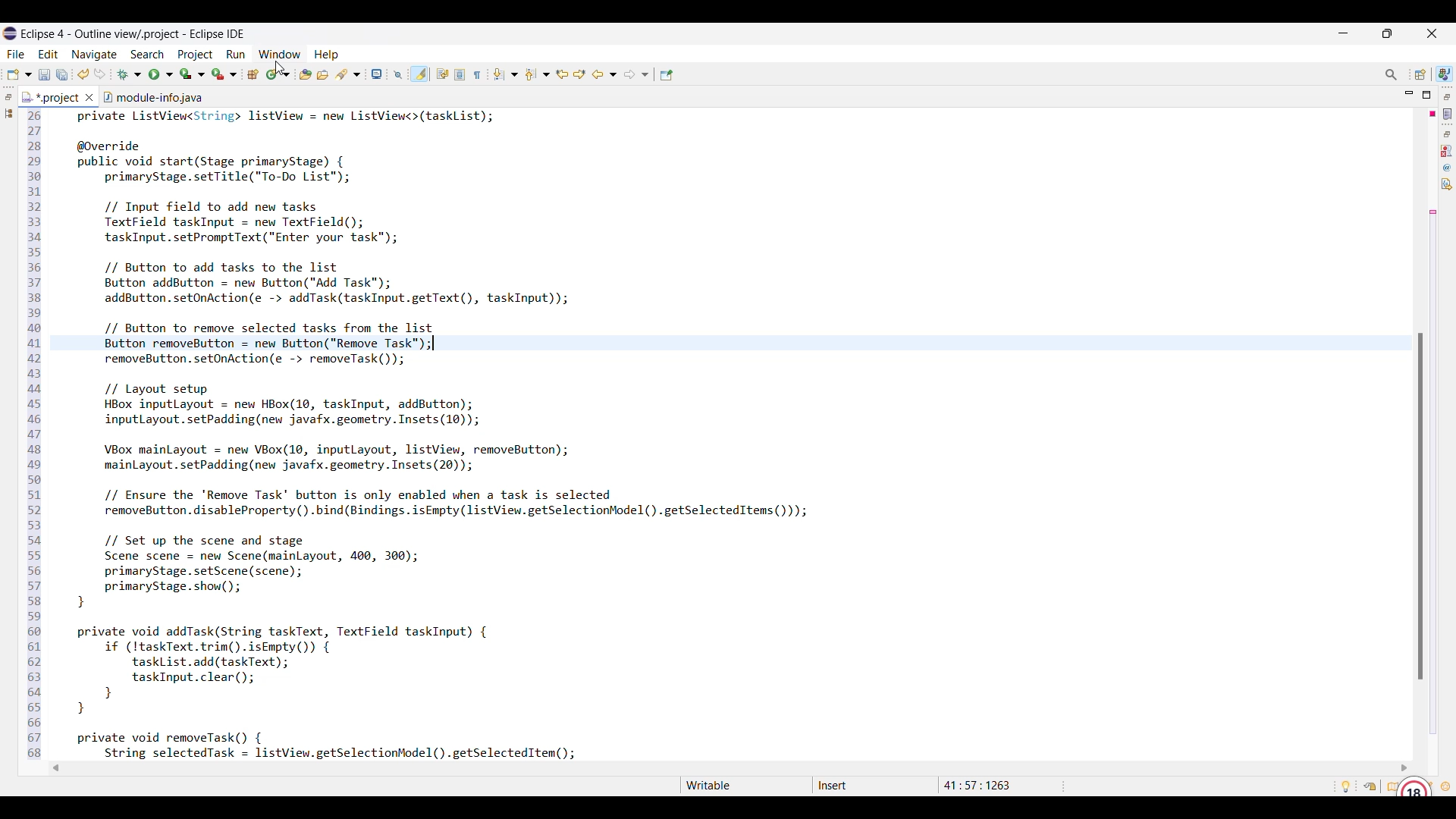 The height and width of the screenshot is (819, 1456). Describe the element at coordinates (604, 74) in the screenshot. I see `Back to project options` at that location.